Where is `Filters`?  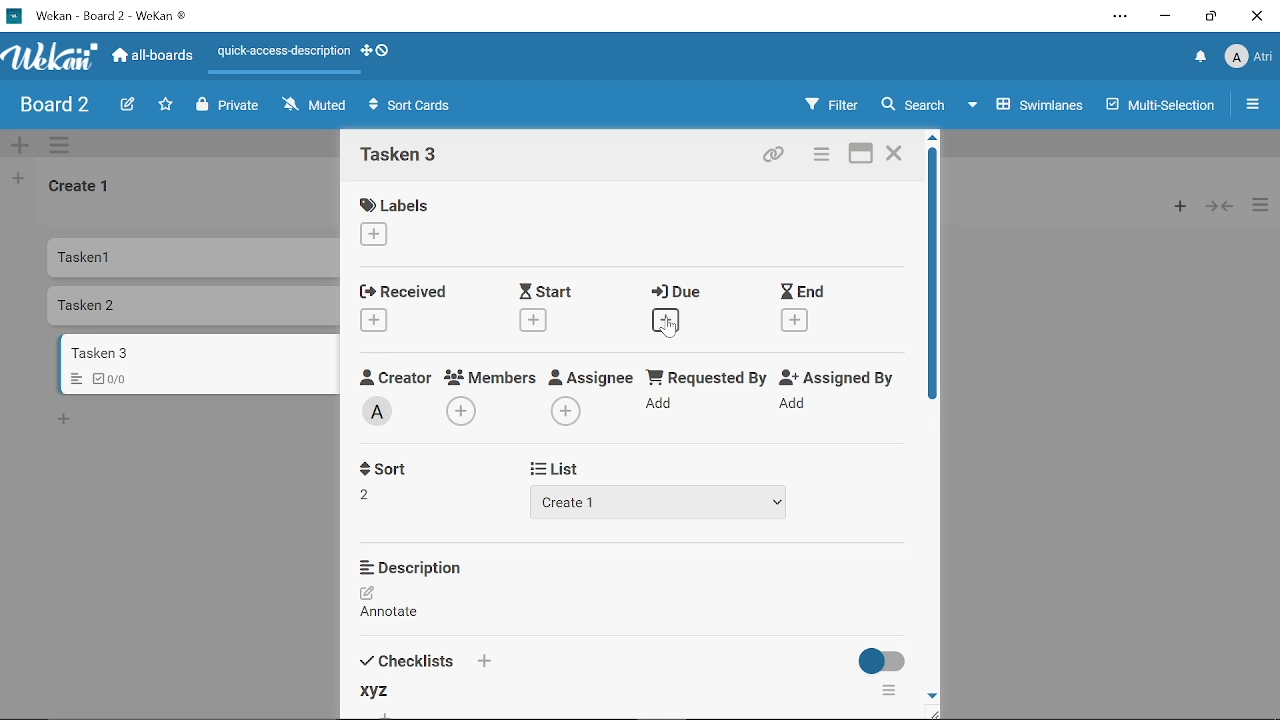 Filters is located at coordinates (833, 105).